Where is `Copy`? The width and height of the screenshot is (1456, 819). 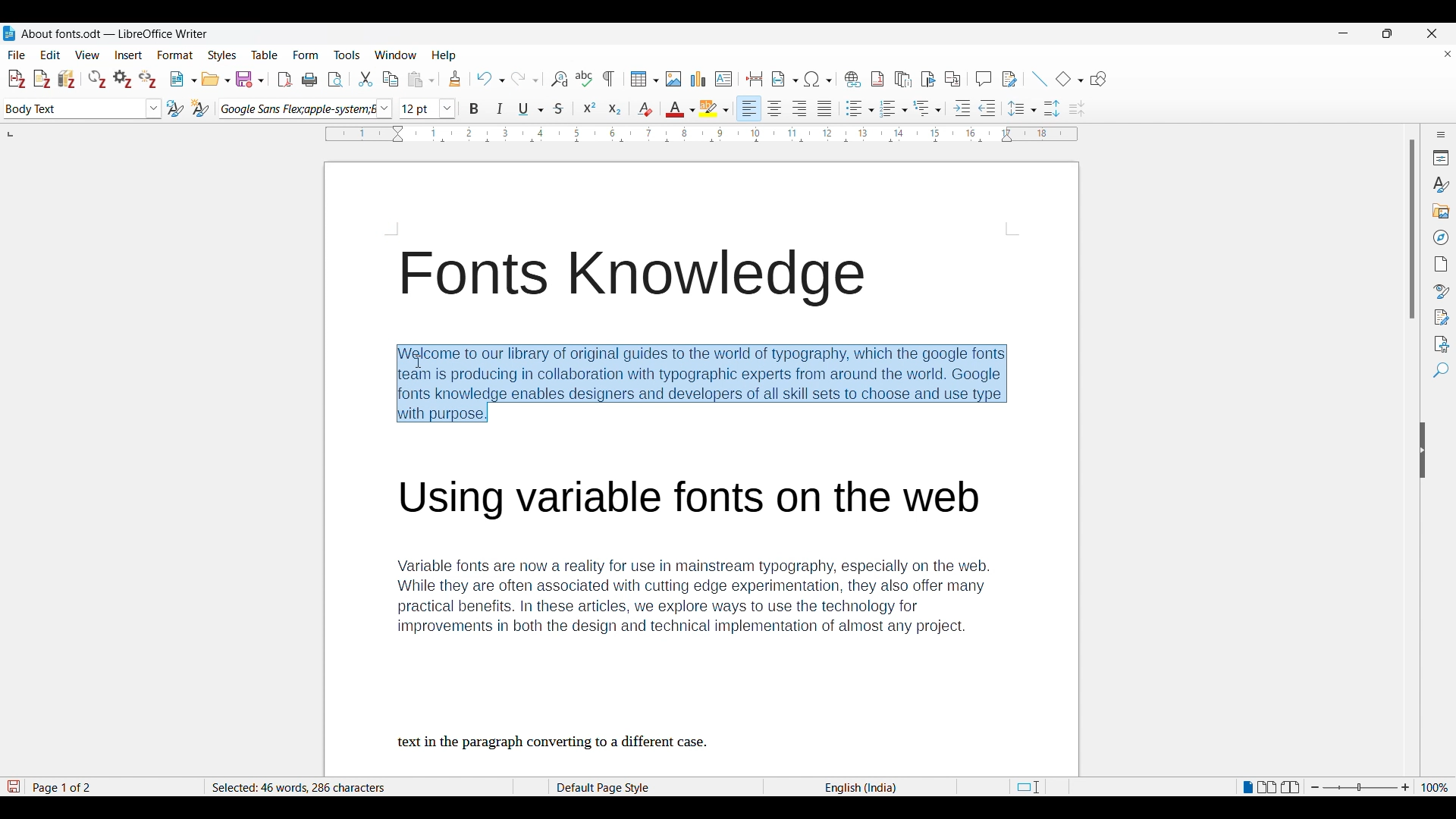
Copy is located at coordinates (390, 79).